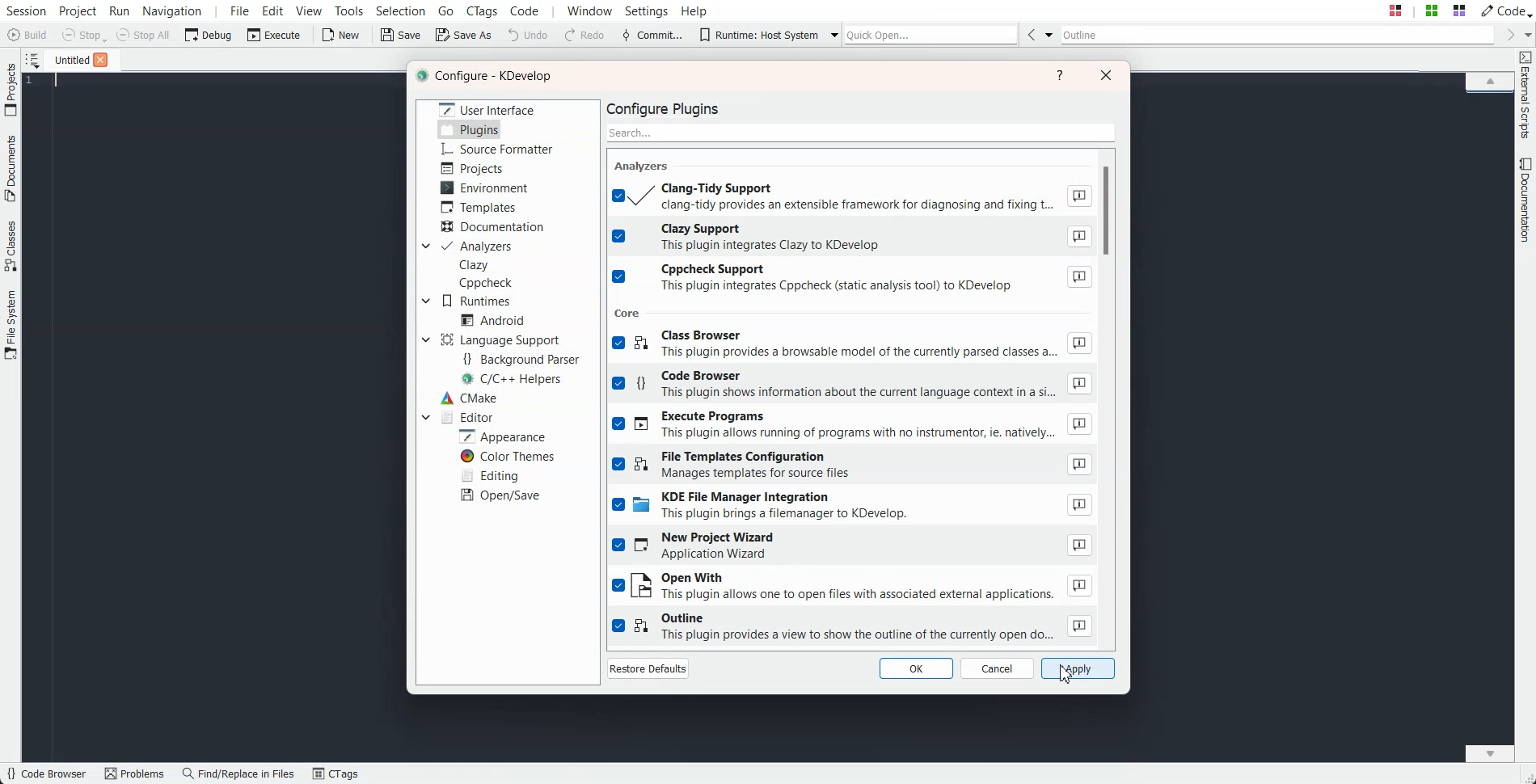 The width and height of the screenshot is (1536, 784). Describe the element at coordinates (492, 320) in the screenshot. I see `Android` at that location.